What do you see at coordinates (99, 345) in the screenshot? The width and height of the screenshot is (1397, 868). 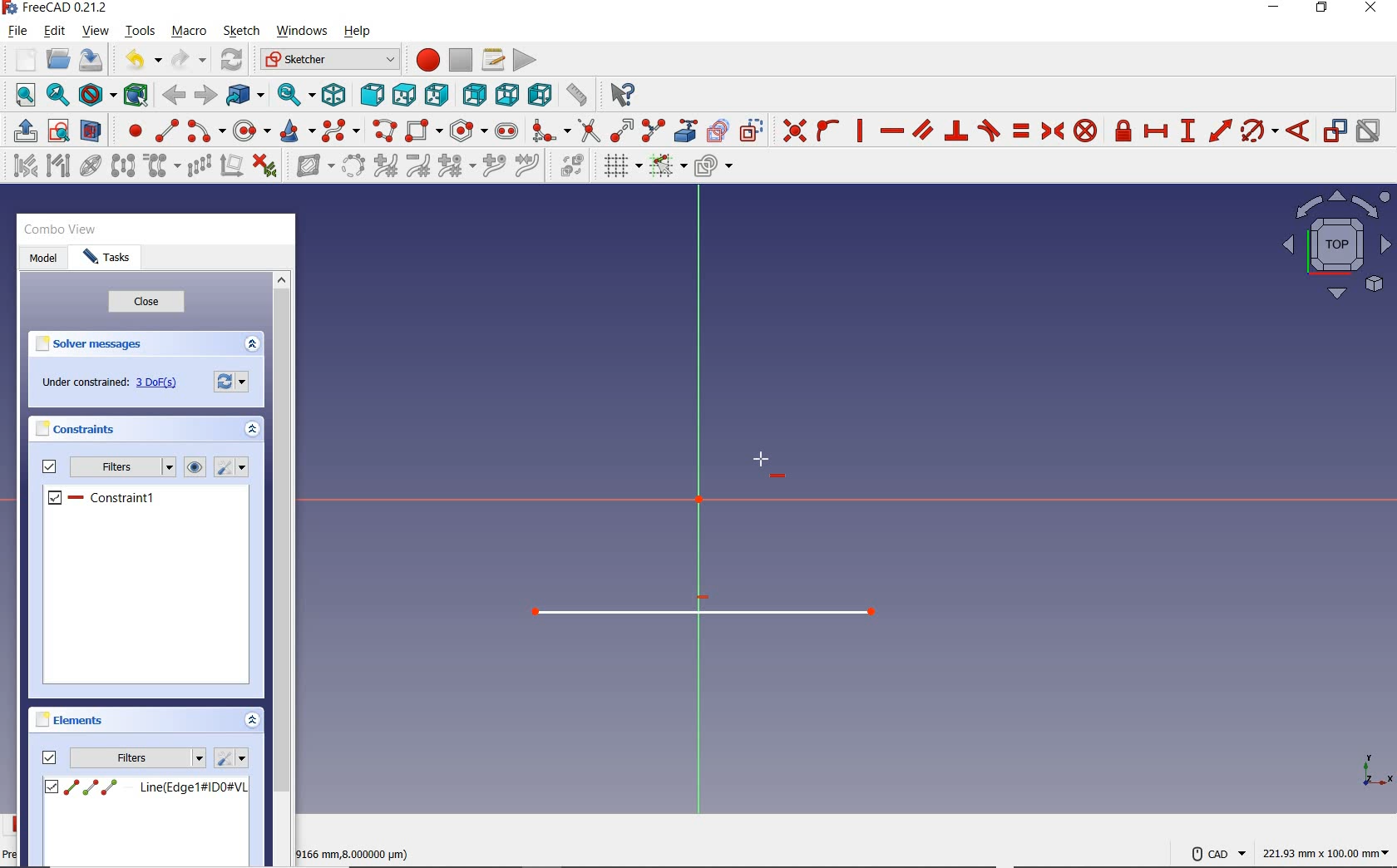 I see `SOLVER MESSAGES` at bounding box center [99, 345].